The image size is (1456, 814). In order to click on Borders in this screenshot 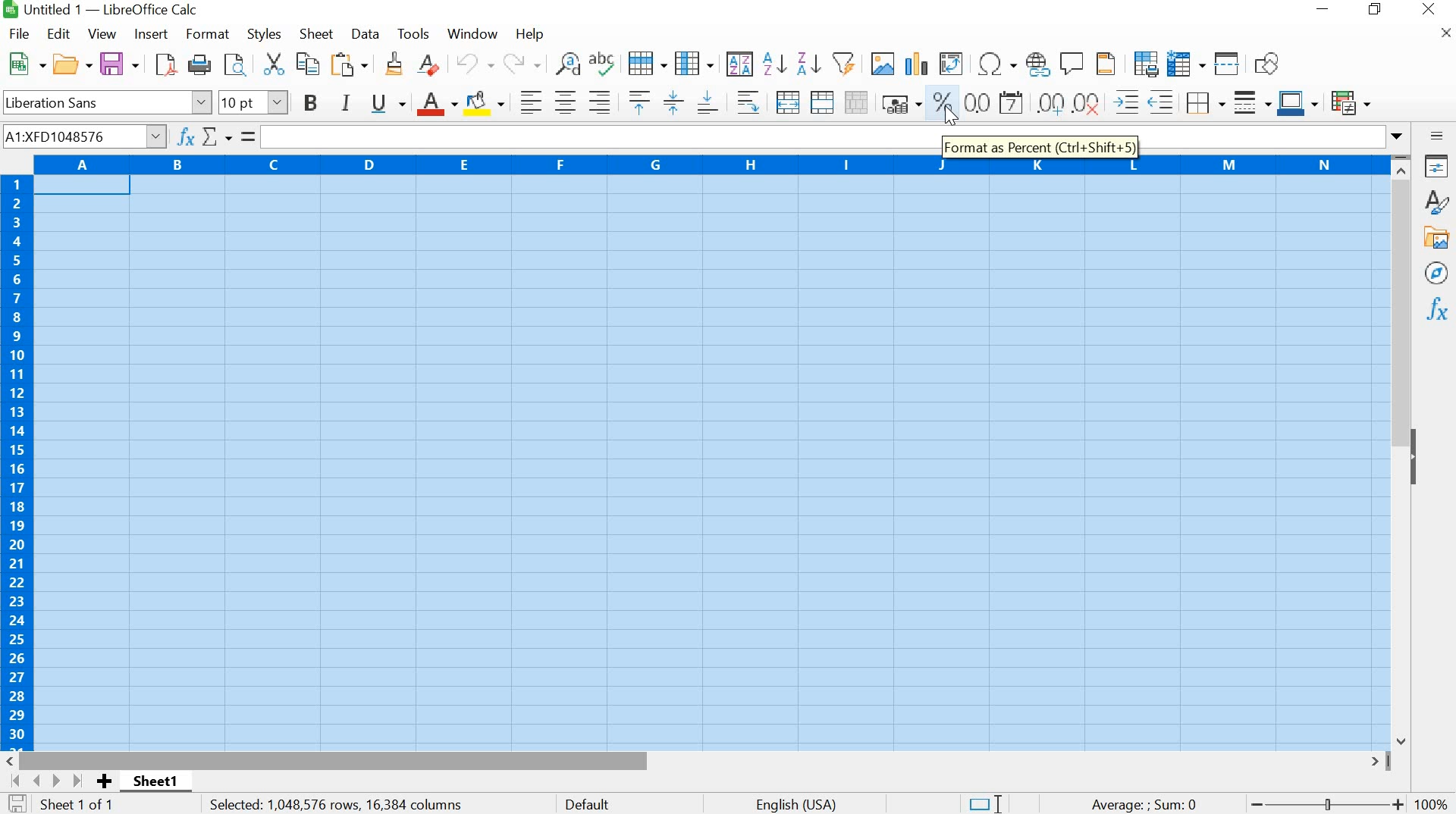, I will do `click(1203, 102)`.